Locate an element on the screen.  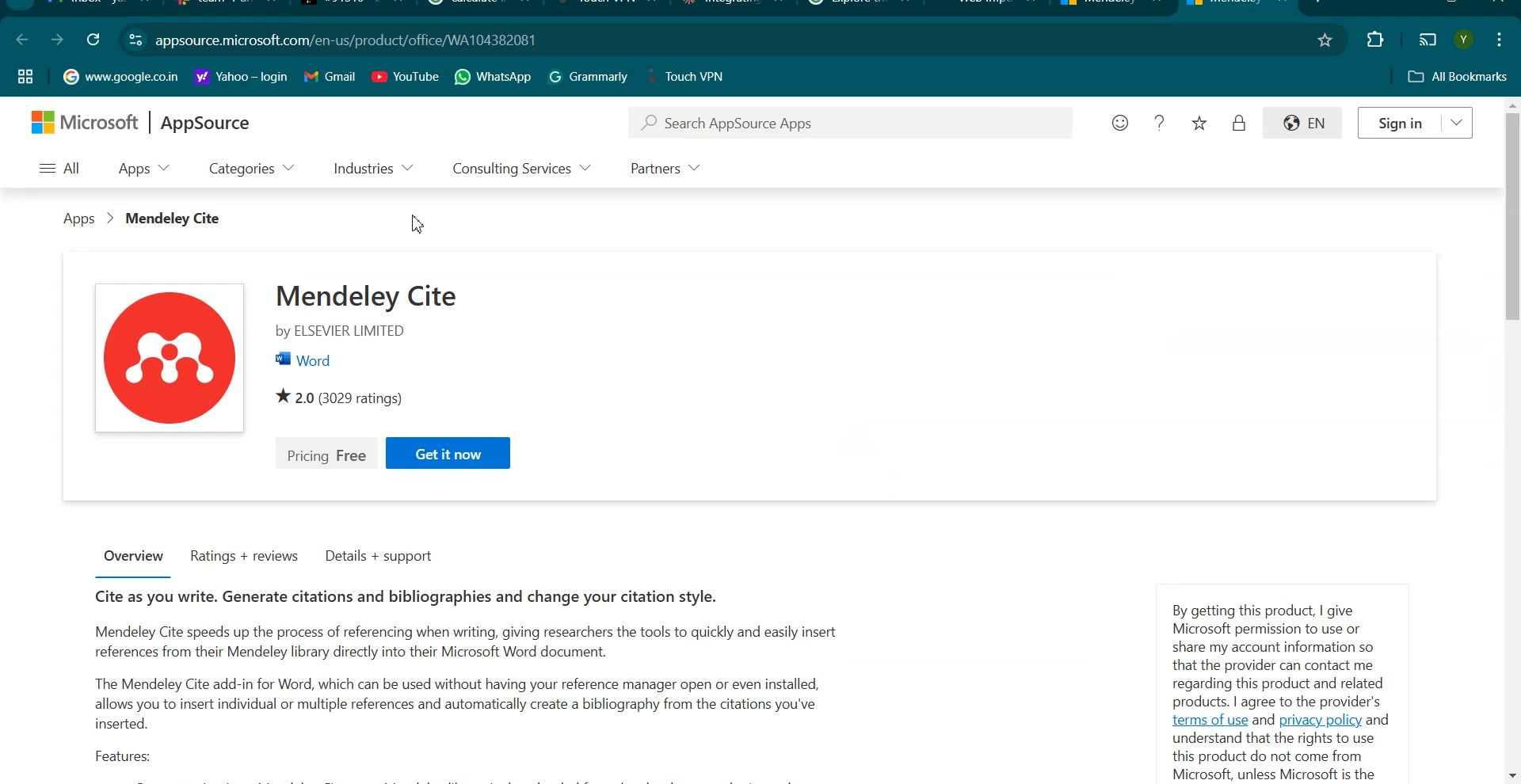
Extensions is located at coordinates (1375, 40).